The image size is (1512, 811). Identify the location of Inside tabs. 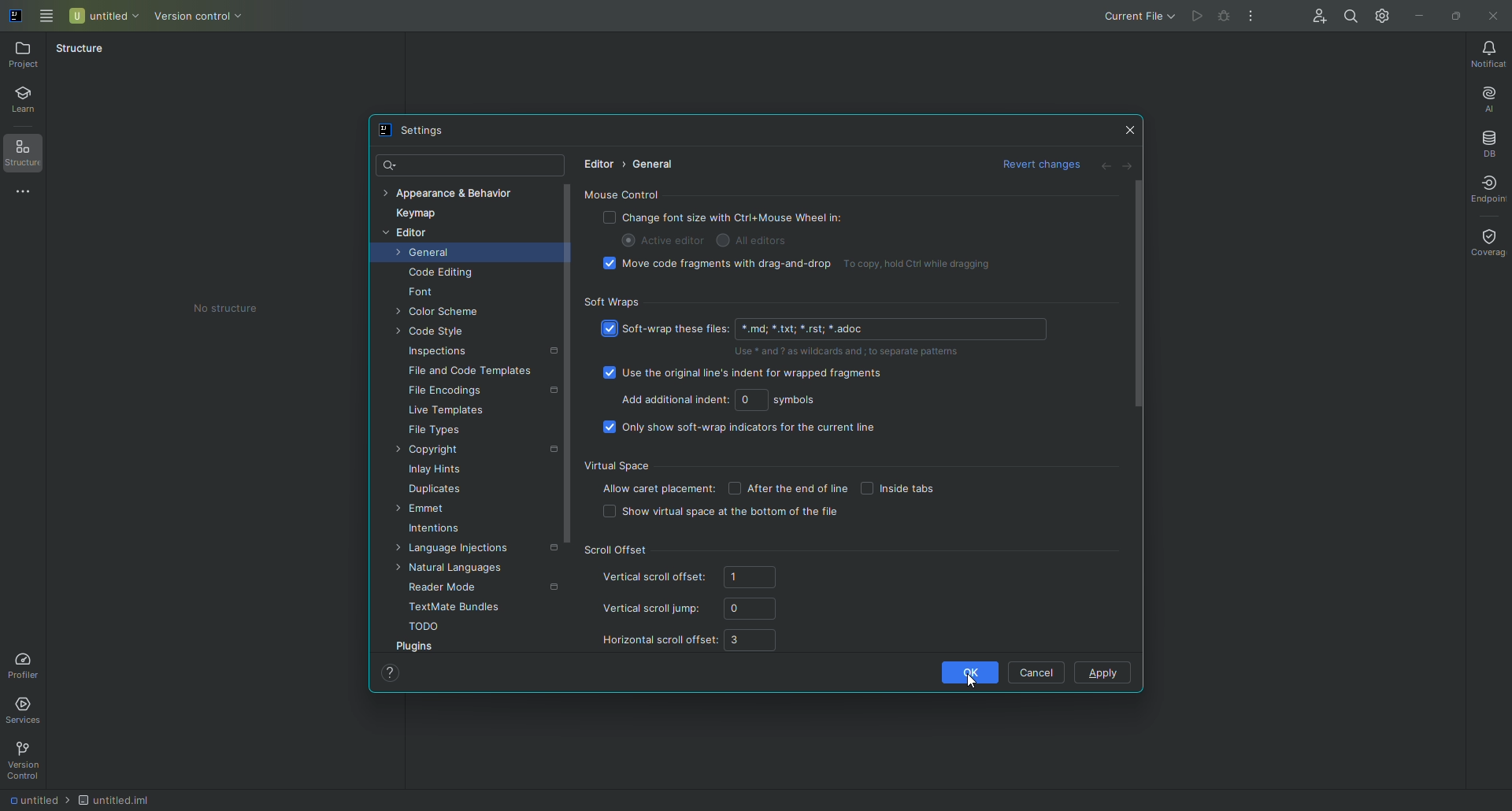
(905, 487).